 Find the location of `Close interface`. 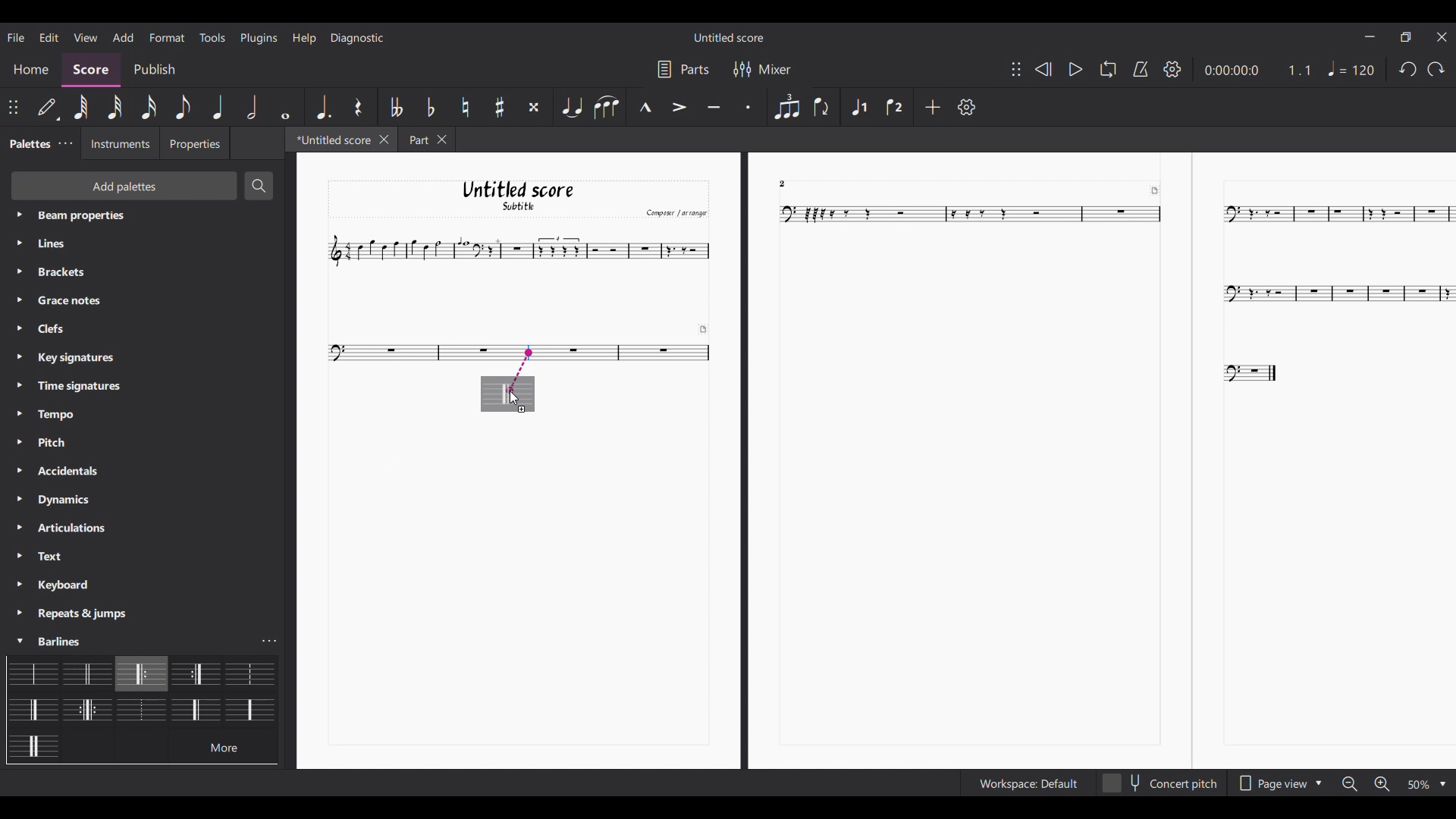

Close interface is located at coordinates (1442, 37).